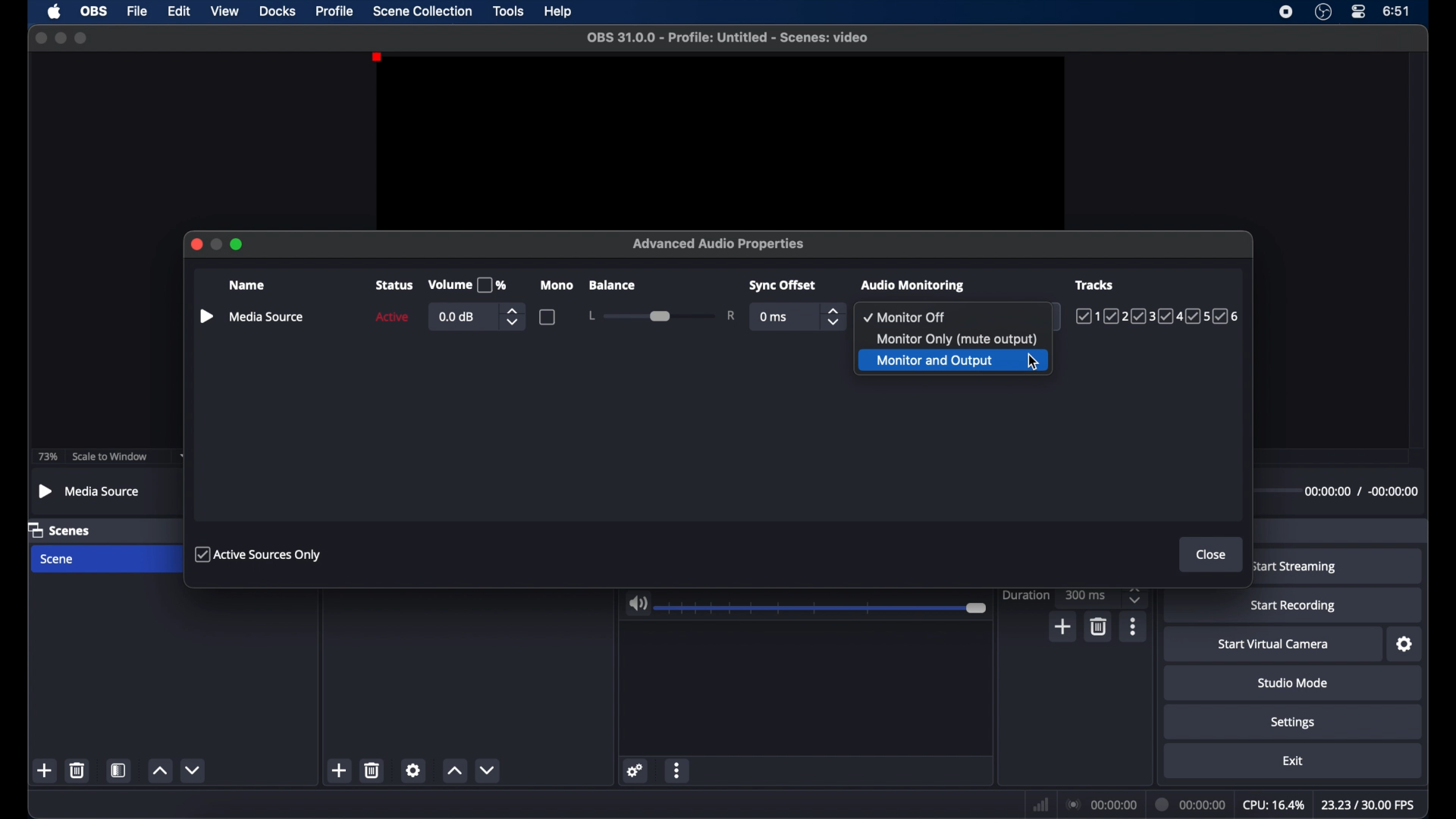 This screenshot has height=819, width=1456. What do you see at coordinates (454, 772) in the screenshot?
I see `increment` at bounding box center [454, 772].